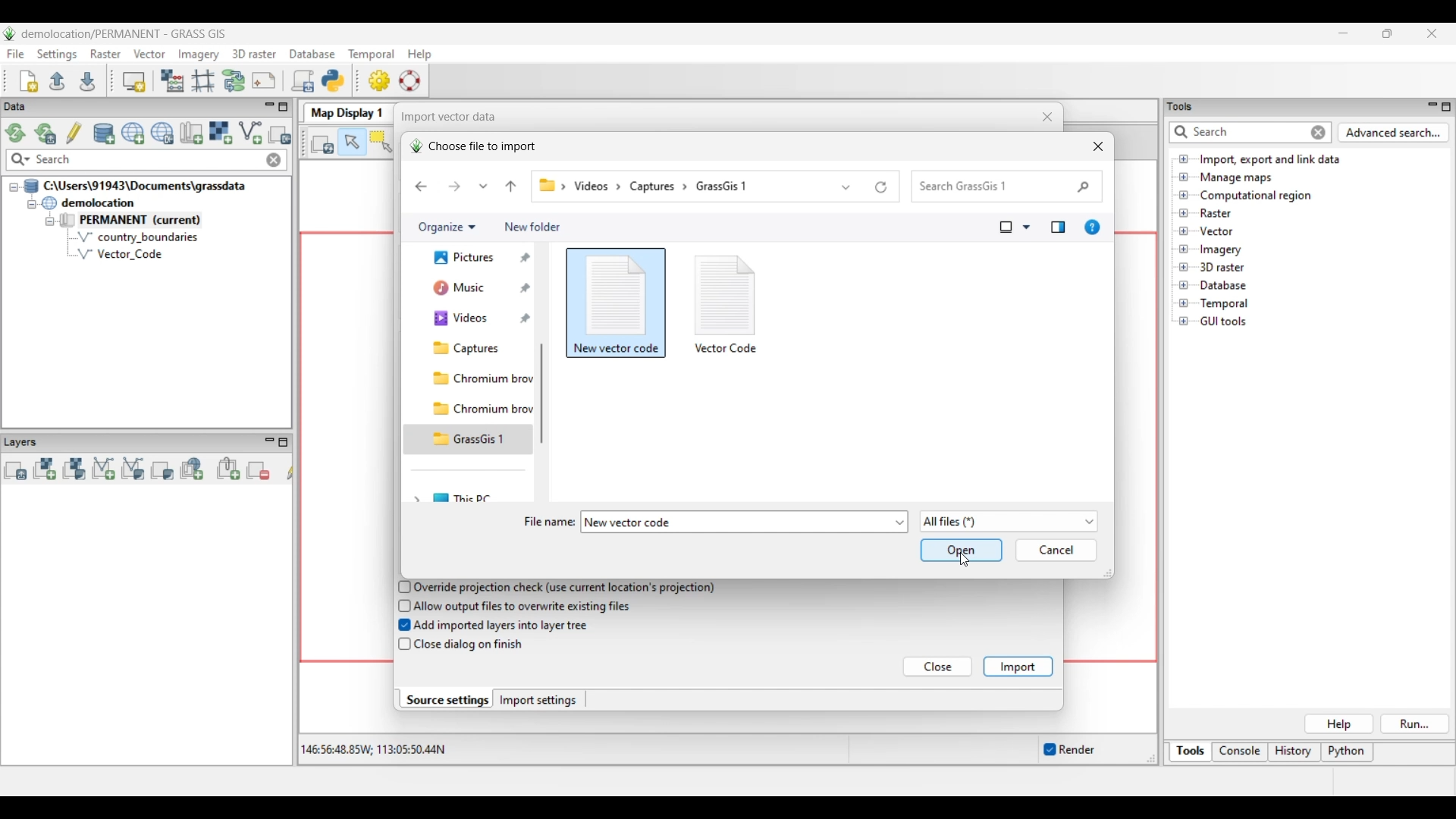 The height and width of the screenshot is (819, 1456). Describe the element at coordinates (1008, 522) in the screenshot. I see `Show list of file options` at that location.